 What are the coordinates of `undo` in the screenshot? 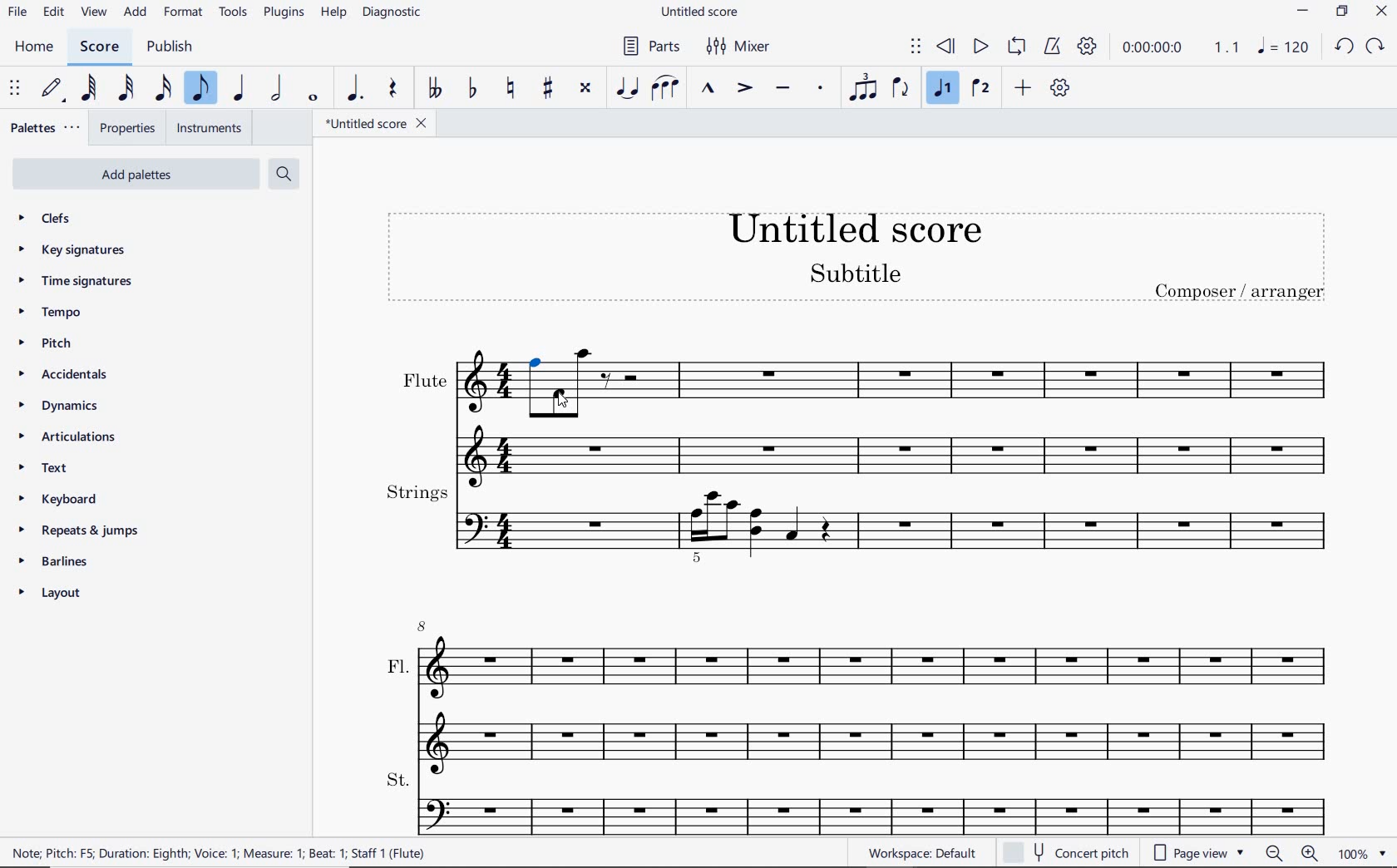 It's located at (1345, 47).